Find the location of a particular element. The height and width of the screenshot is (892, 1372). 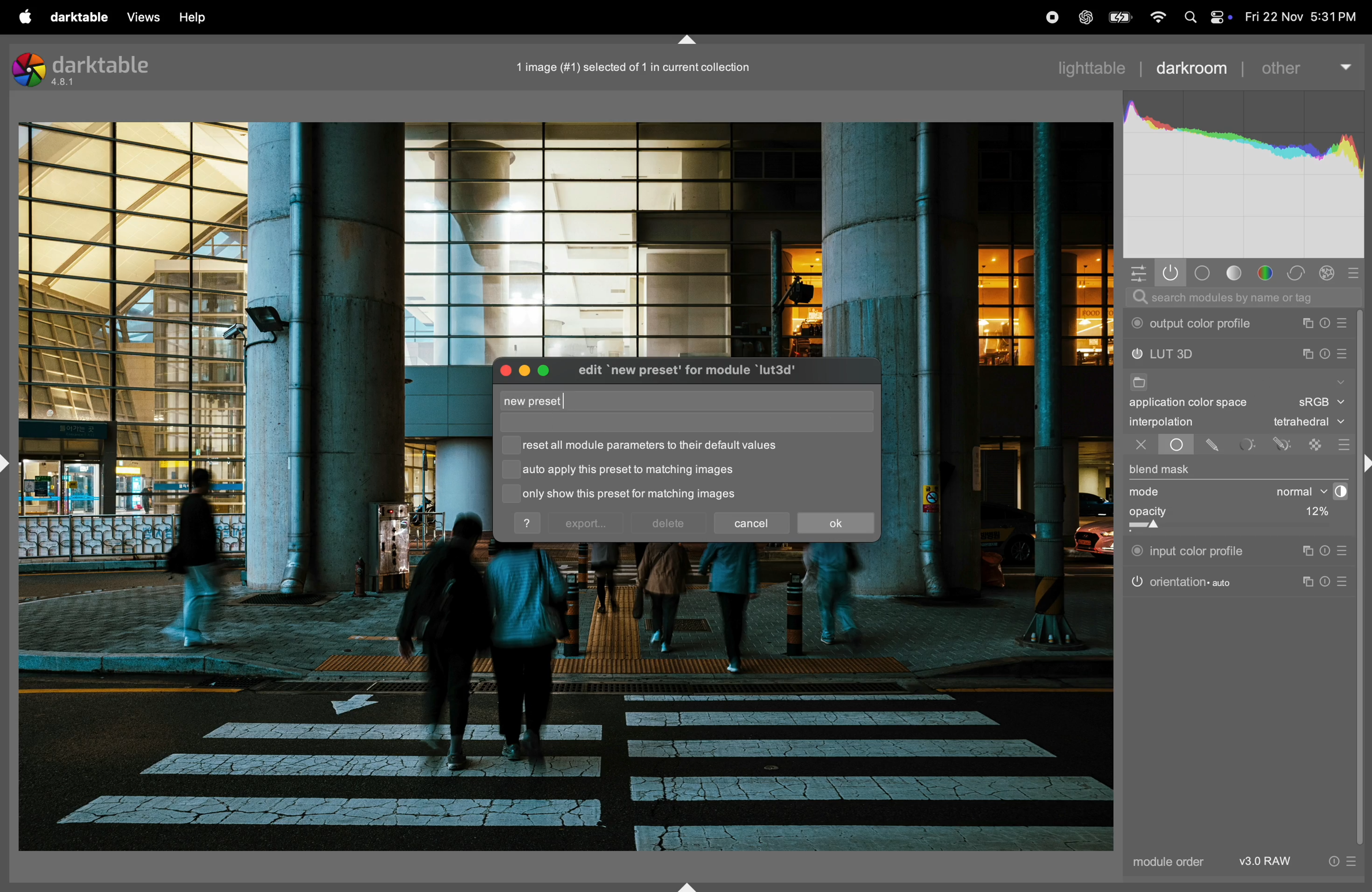

check box is located at coordinates (511, 445).